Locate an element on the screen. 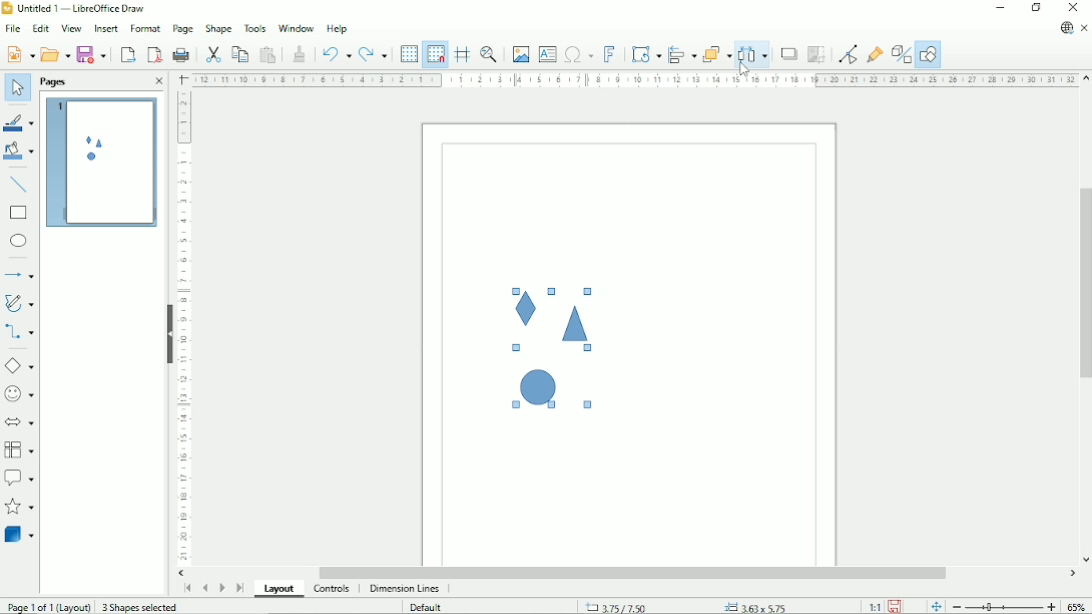 The width and height of the screenshot is (1092, 614). Dimension lines is located at coordinates (406, 589).